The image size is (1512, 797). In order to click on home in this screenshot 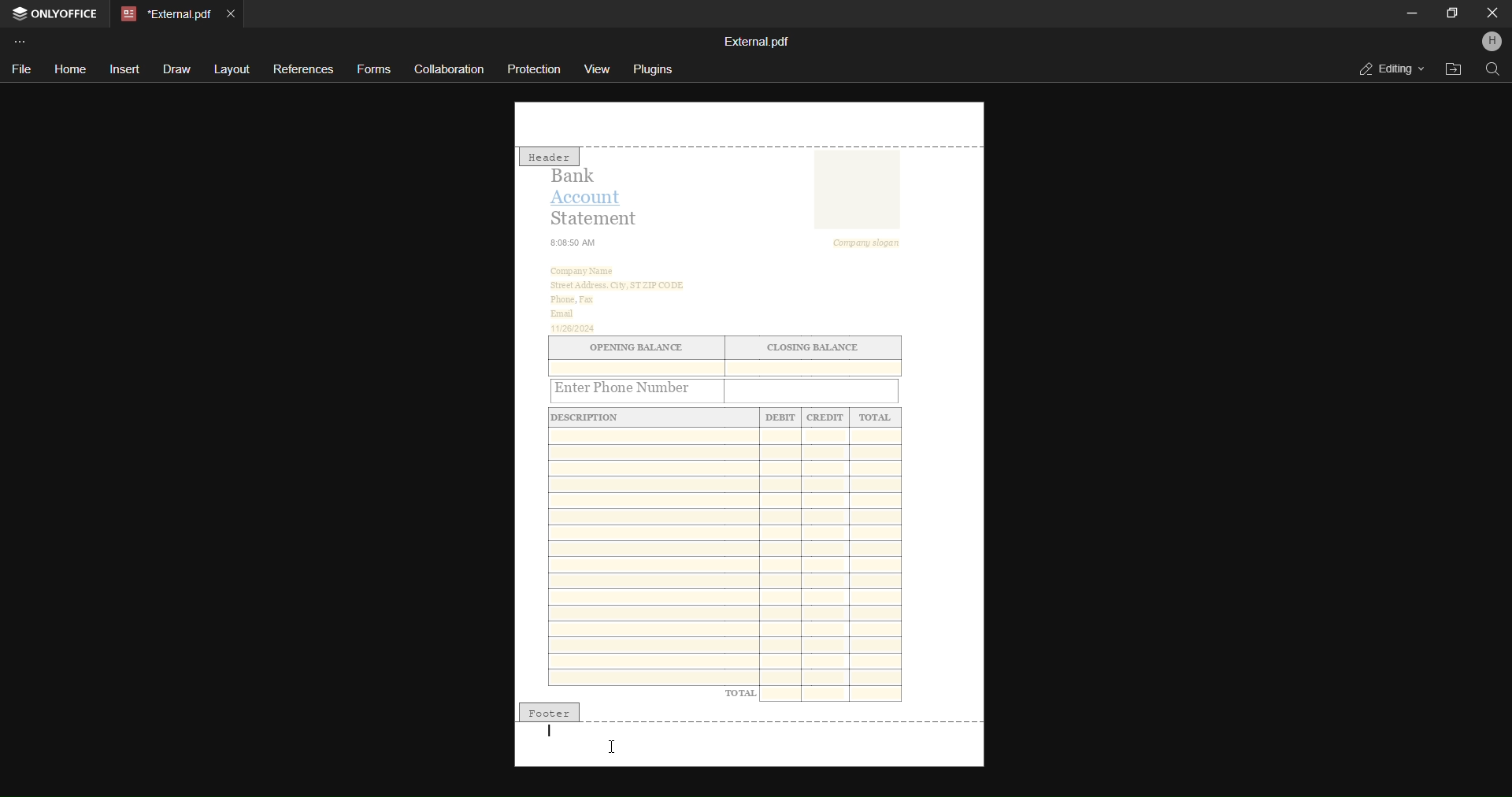, I will do `click(70, 70)`.